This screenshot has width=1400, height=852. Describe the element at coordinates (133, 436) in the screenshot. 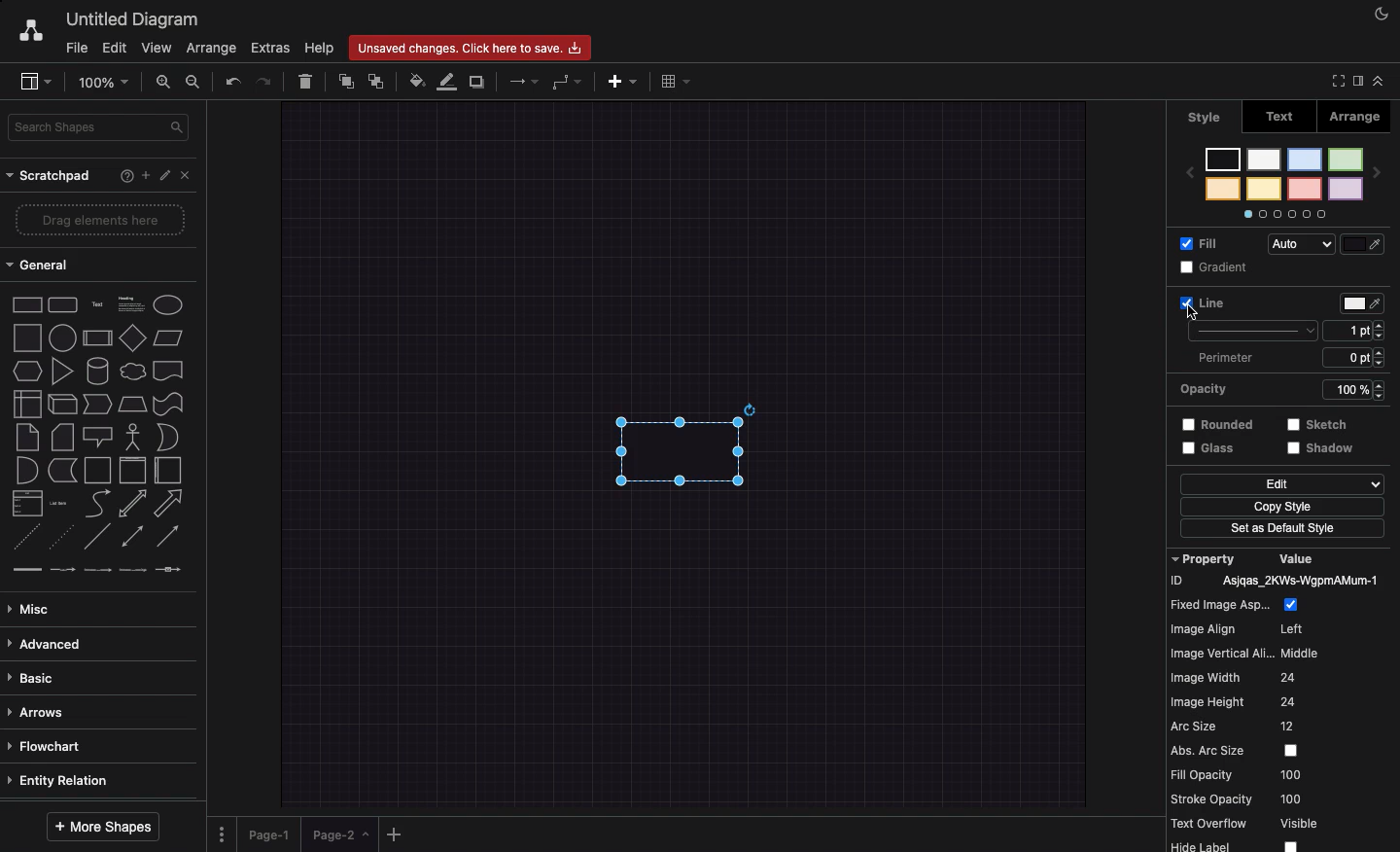

I see `actor` at that location.